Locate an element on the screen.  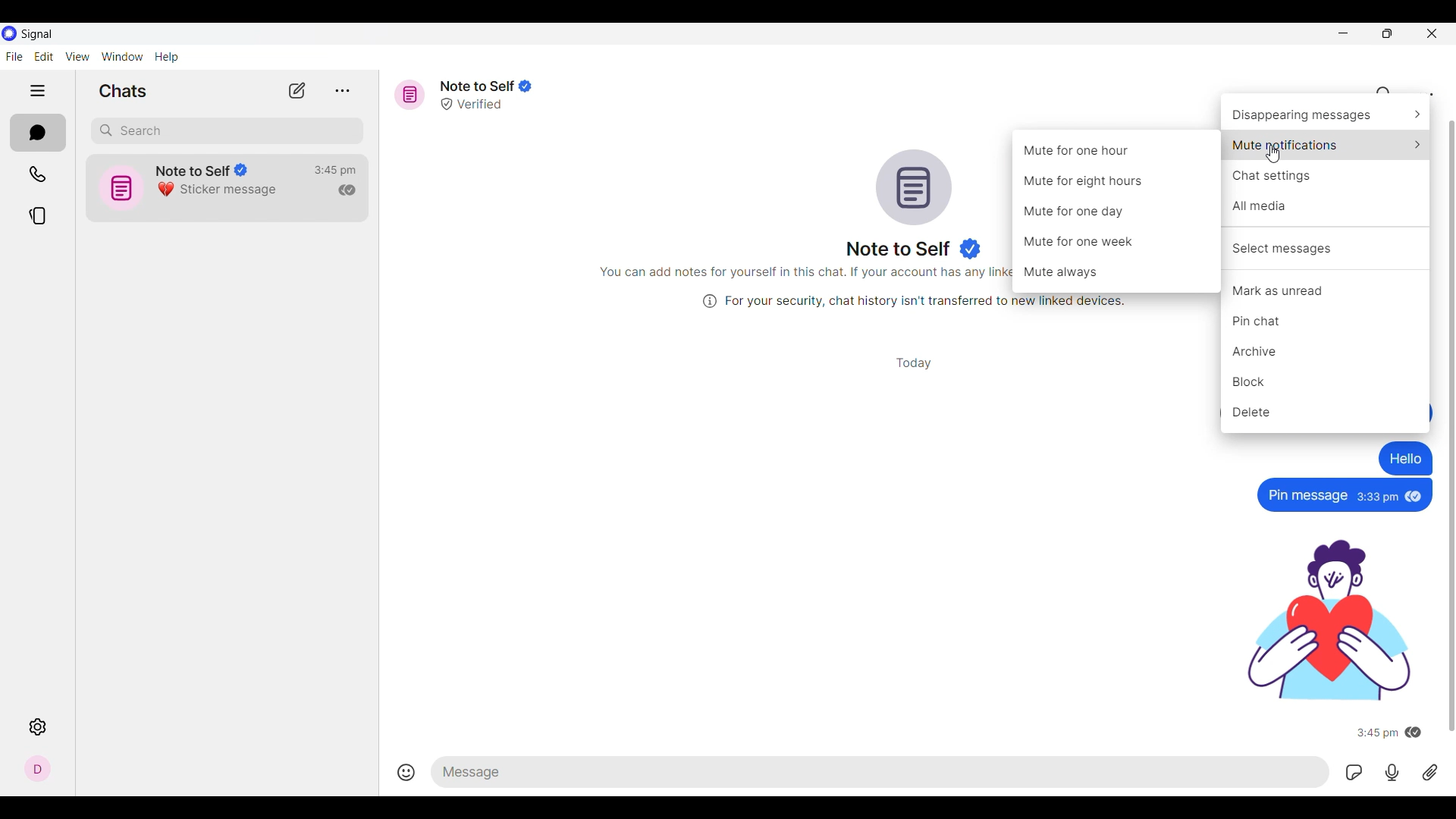
Name of message reciever is located at coordinates (899, 249).